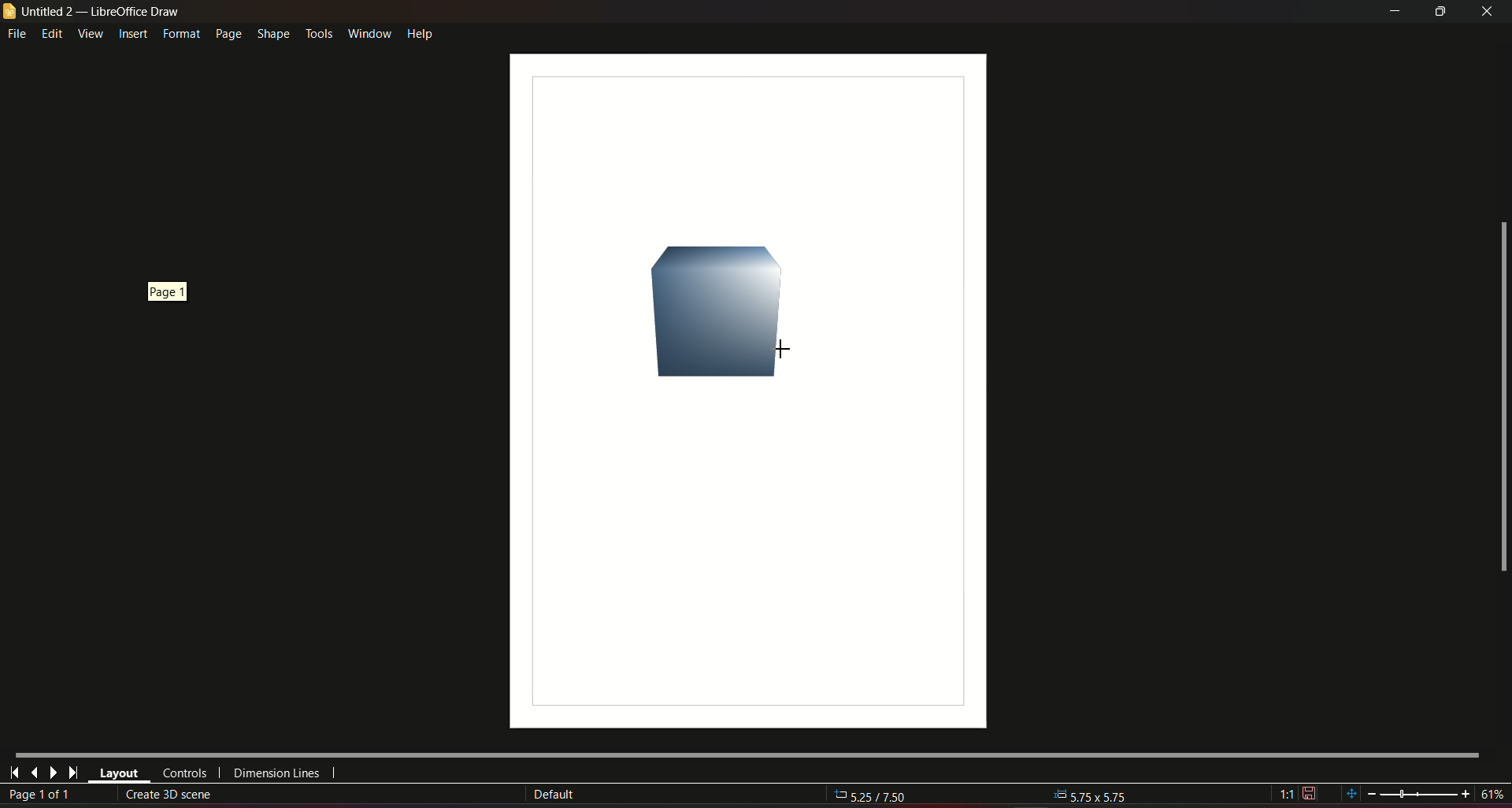 The image size is (1512, 808). Describe the element at coordinates (72, 773) in the screenshot. I see `last page` at that location.